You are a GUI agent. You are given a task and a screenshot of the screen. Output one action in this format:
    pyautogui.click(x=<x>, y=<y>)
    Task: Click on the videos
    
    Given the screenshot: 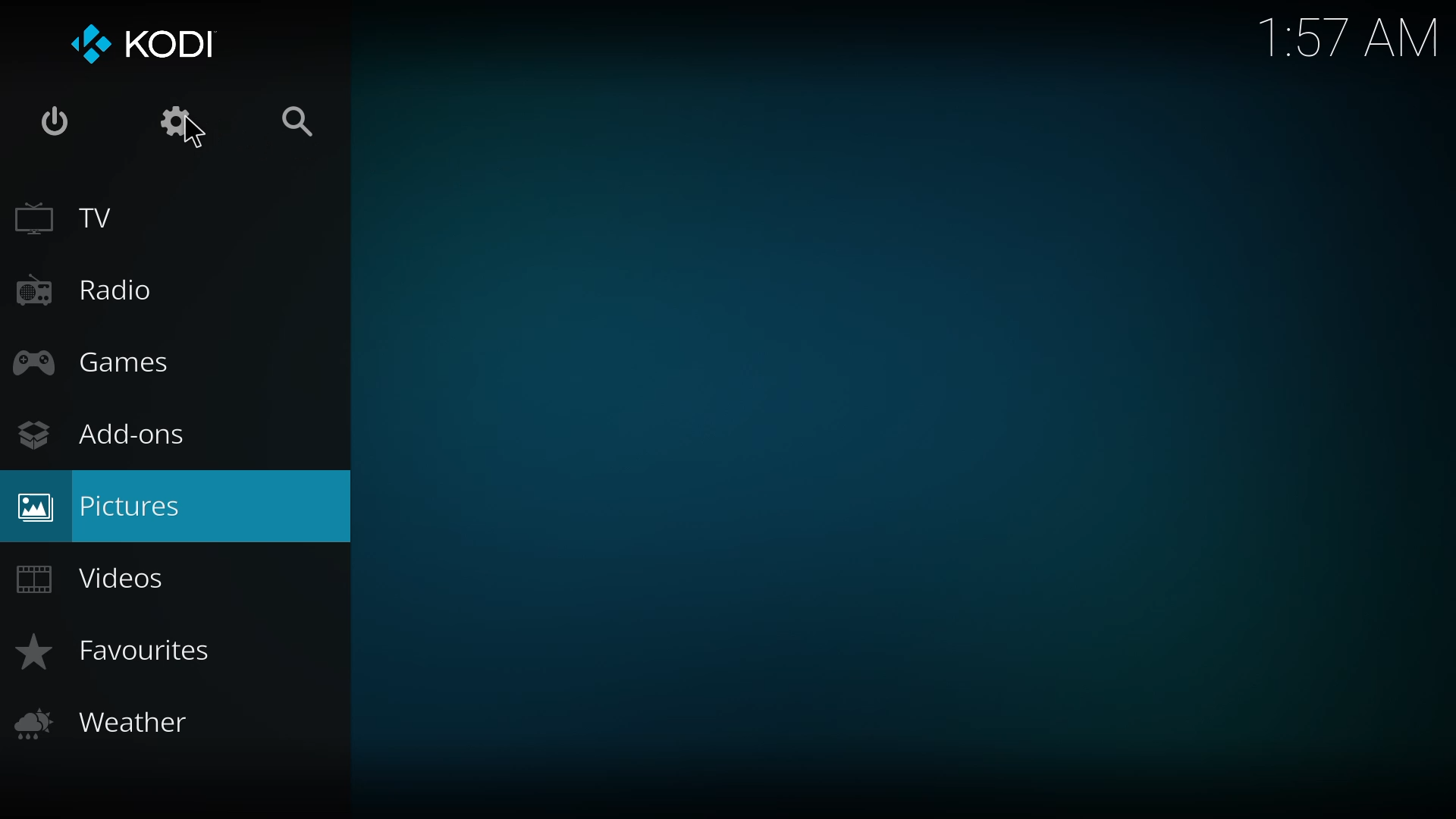 What is the action you would take?
    pyautogui.click(x=98, y=578)
    